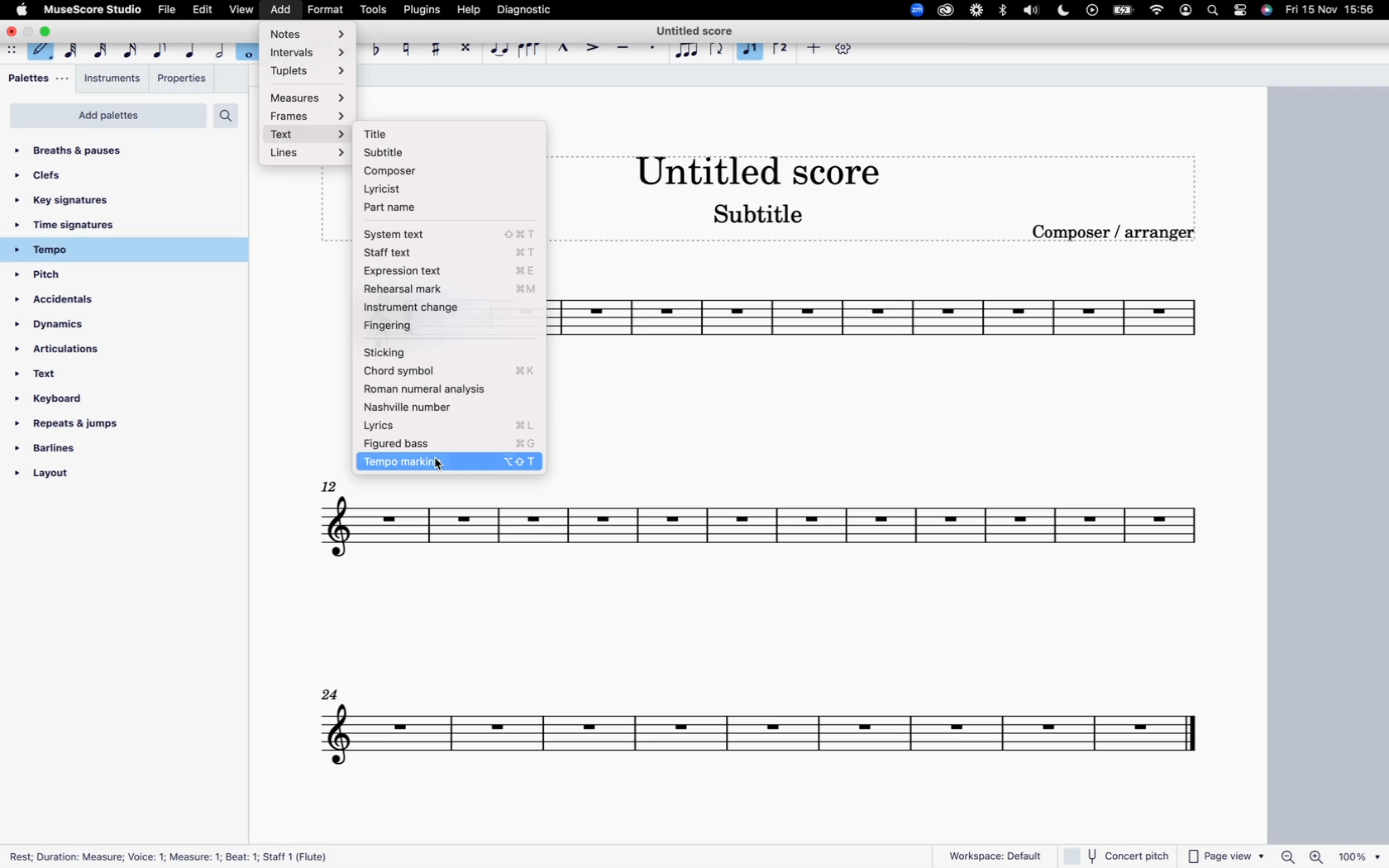 This screenshot has height=868, width=1389. What do you see at coordinates (1118, 232) in the screenshot?
I see `composer / arranger` at bounding box center [1118, 232].